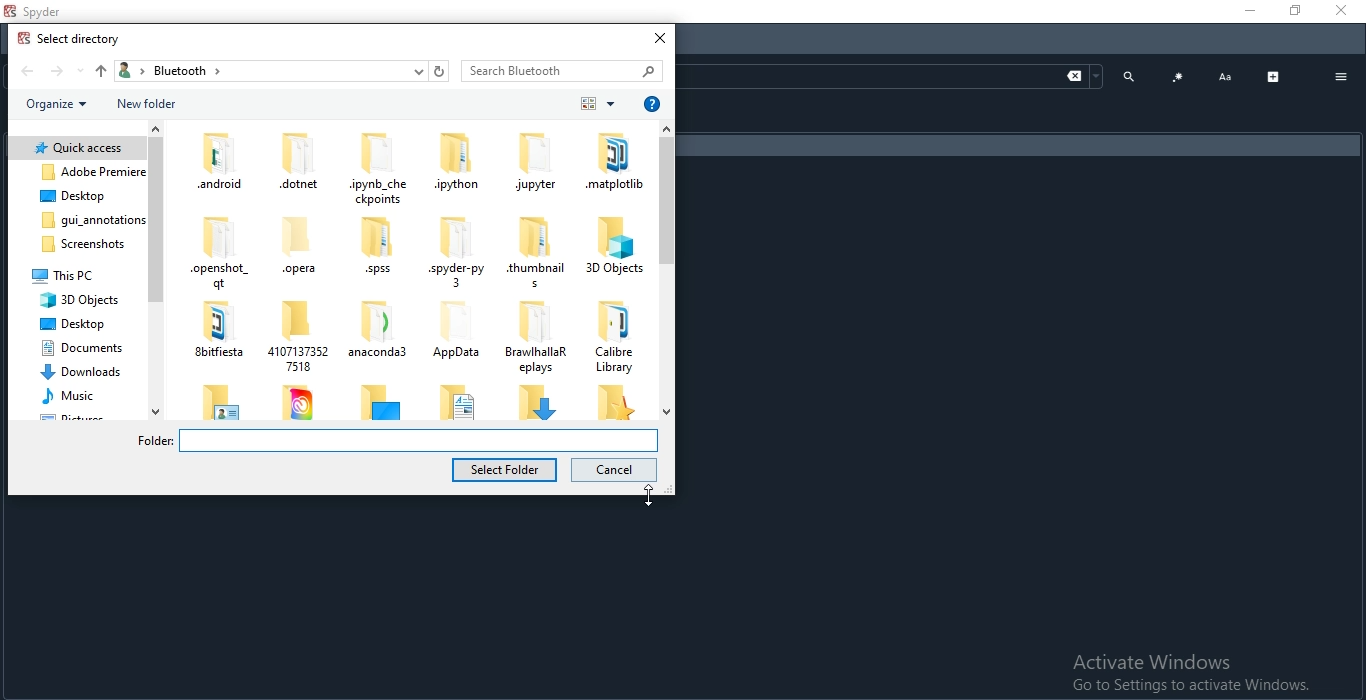  Describe the element at coordinates (70, 40) in the screenshot. I see `select directory` at that location.